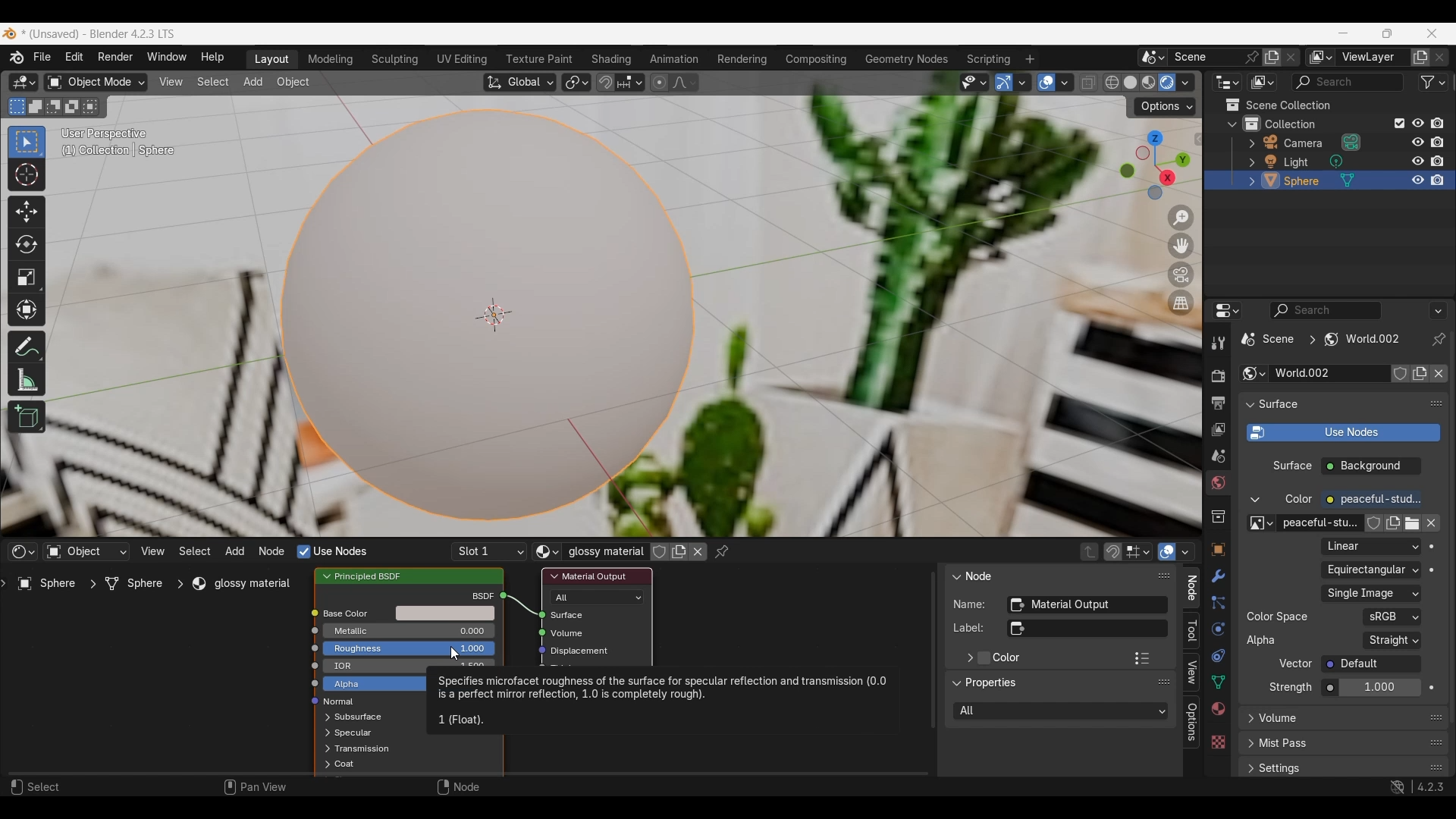 This screenshot has height=819, width=1456. What do you see at coordinates (532, 632) in the screenshot?
I see `icon` at bounding box center [532, 632].